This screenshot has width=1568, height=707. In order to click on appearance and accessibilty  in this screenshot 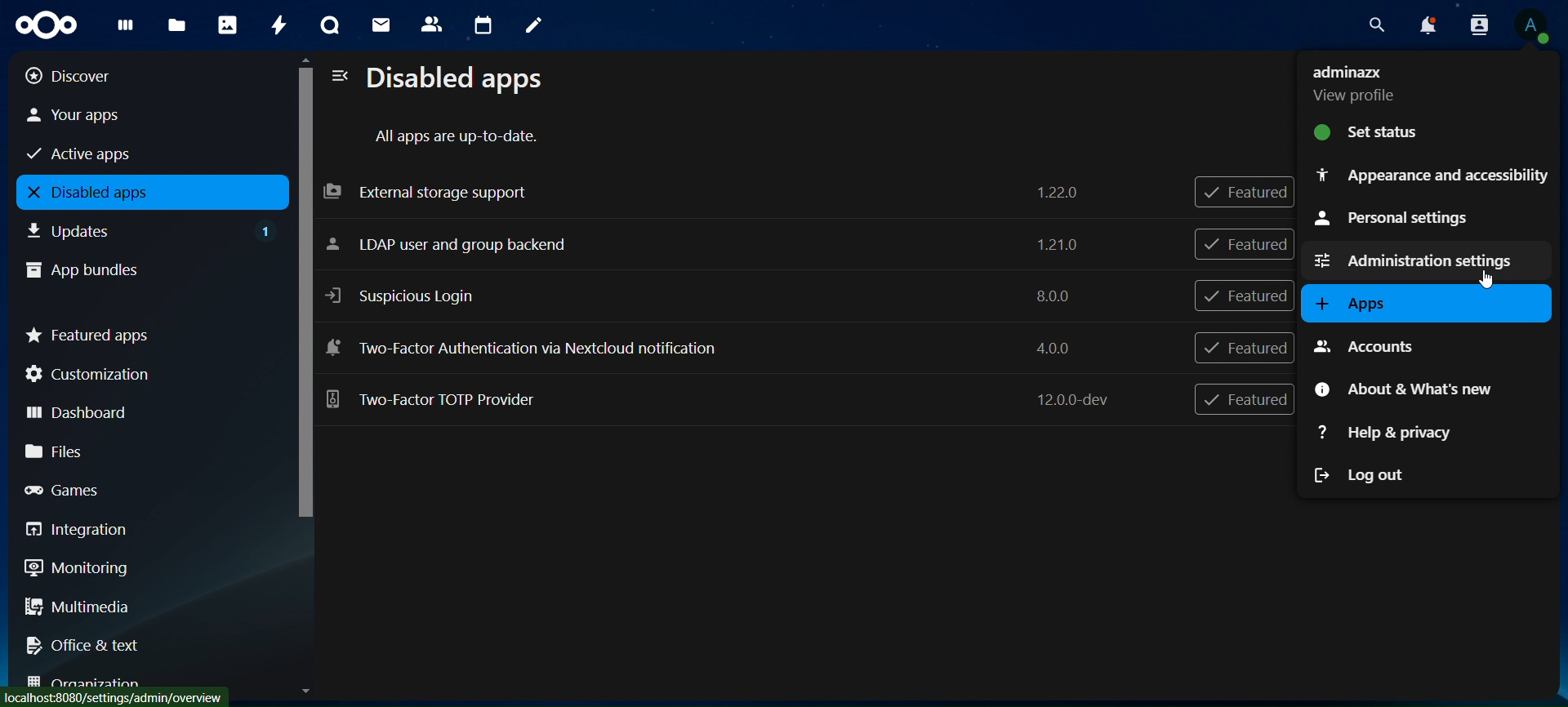, I will do `click(1431, 174)`.